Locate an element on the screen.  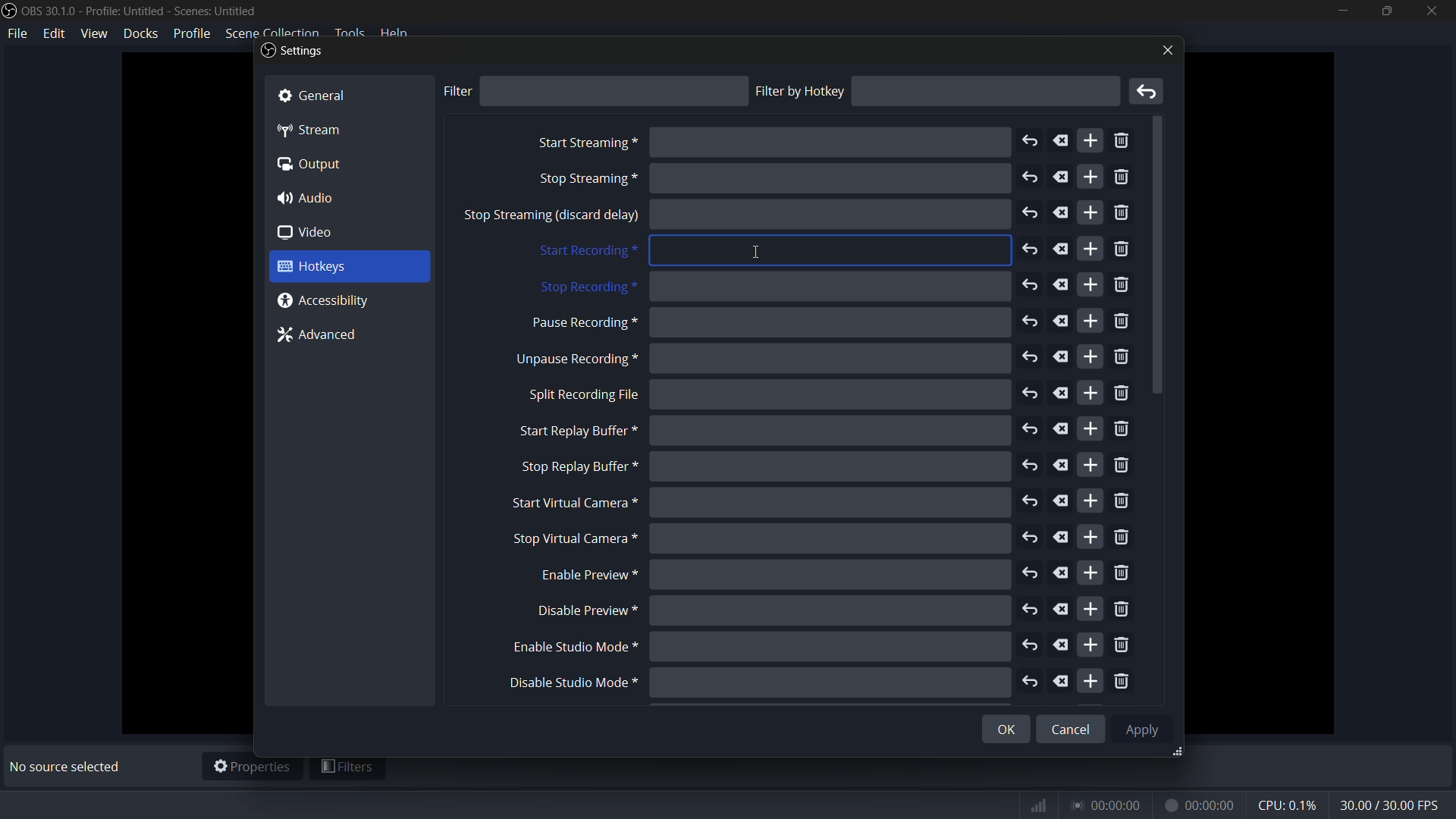
(a Output is located at coordinates (312, 166).